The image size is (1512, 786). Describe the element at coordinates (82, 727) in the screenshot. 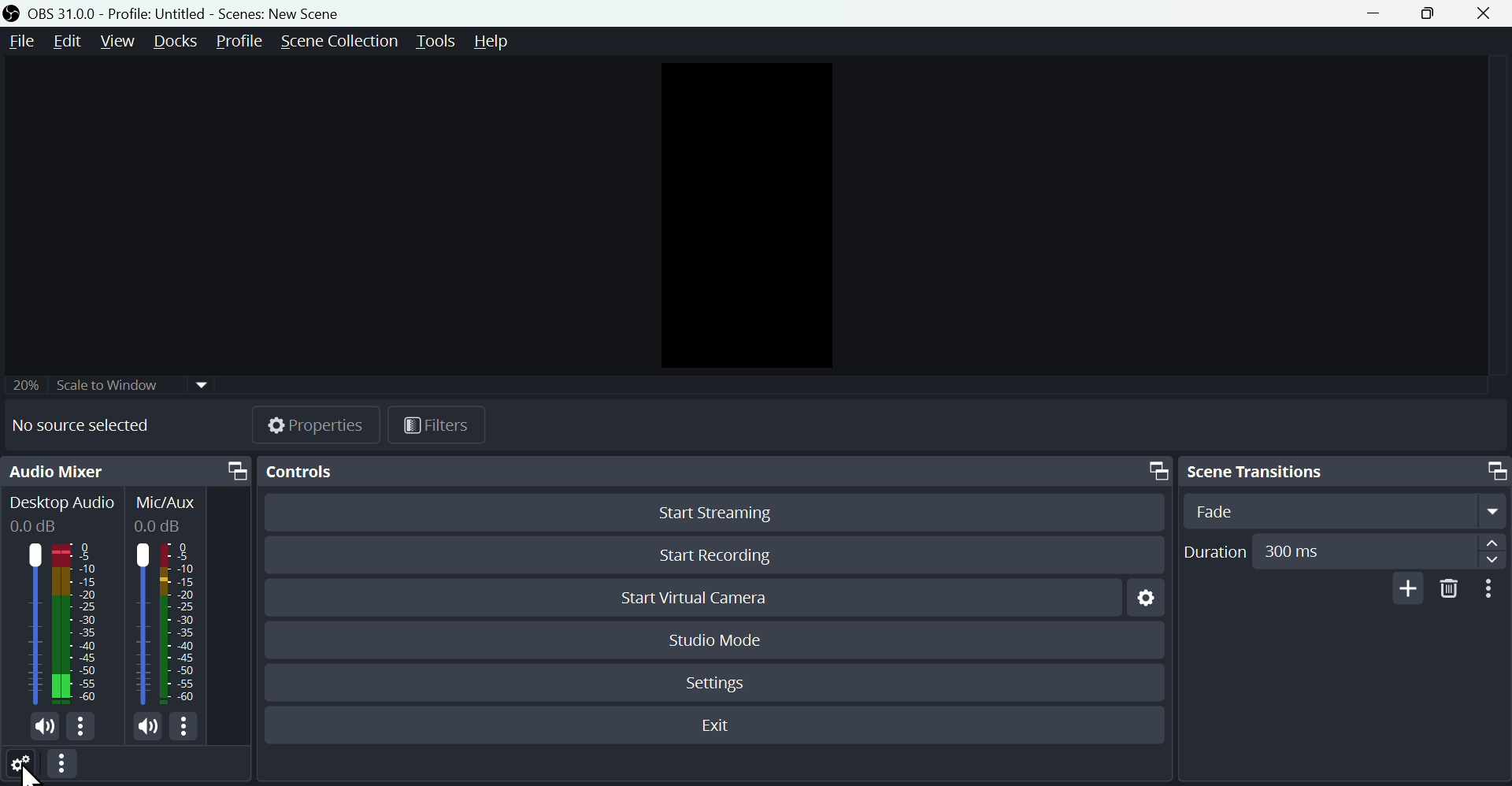

I see `More options` at that location.